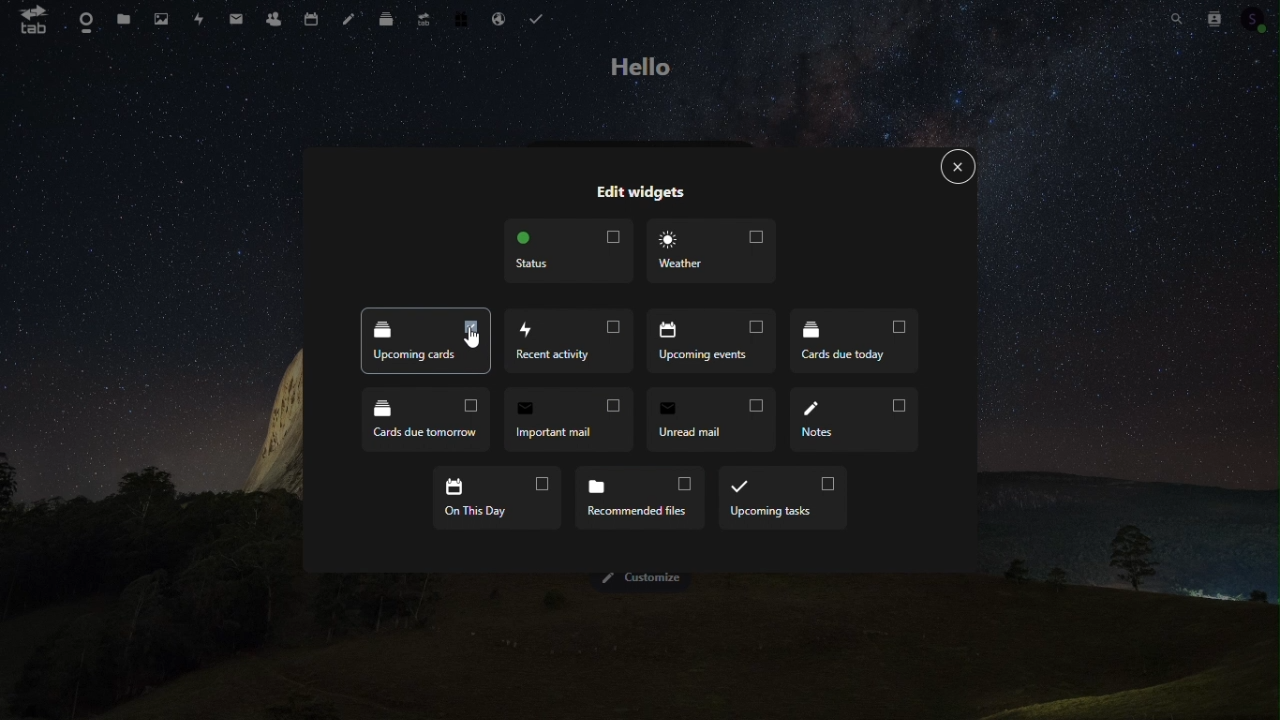  I want to click on Calendar, so click(310, 17).